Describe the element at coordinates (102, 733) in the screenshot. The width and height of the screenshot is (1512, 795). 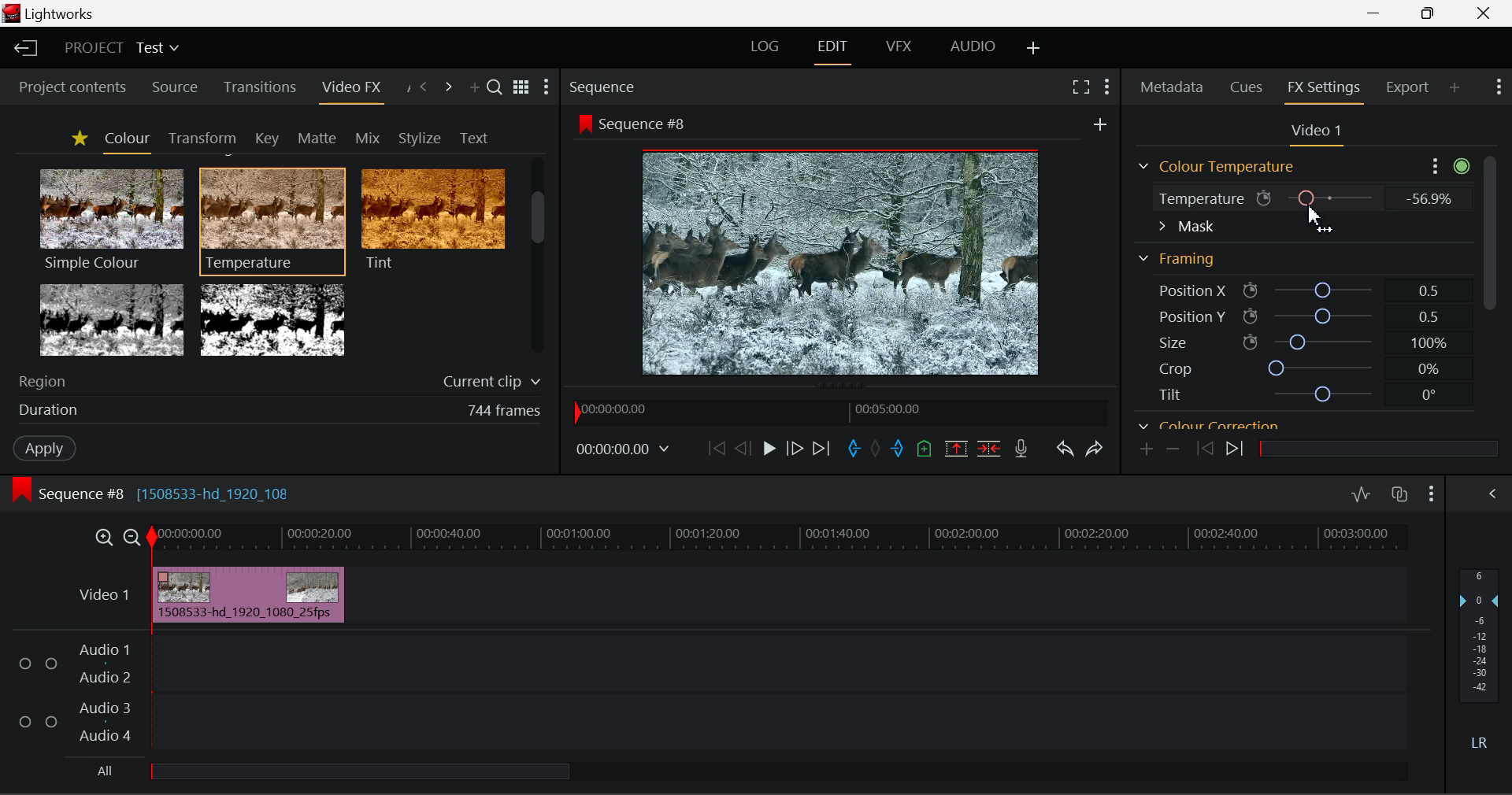
I see `Audio 4` at that location.